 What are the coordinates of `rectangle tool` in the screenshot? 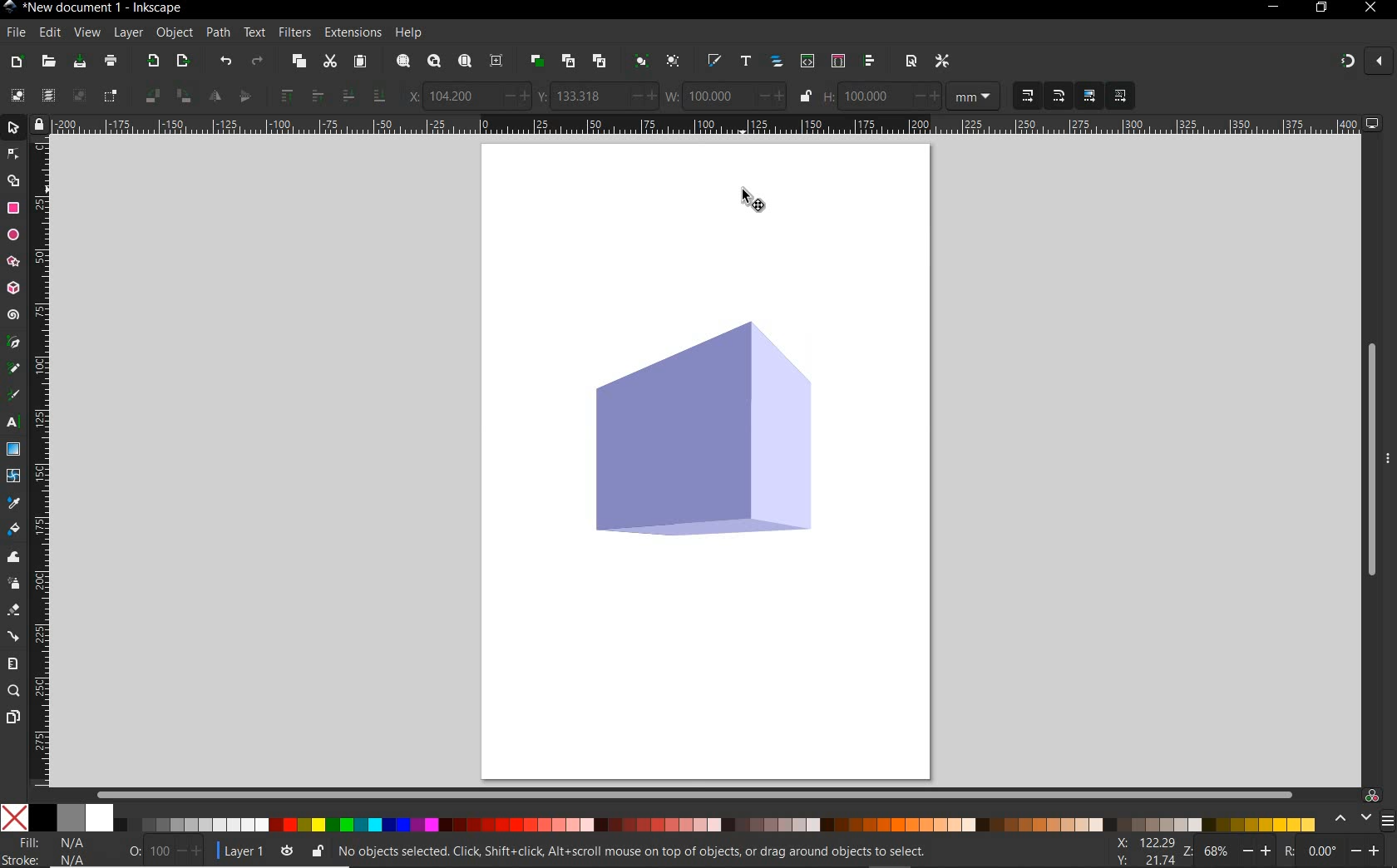 It's located at (13, 209).